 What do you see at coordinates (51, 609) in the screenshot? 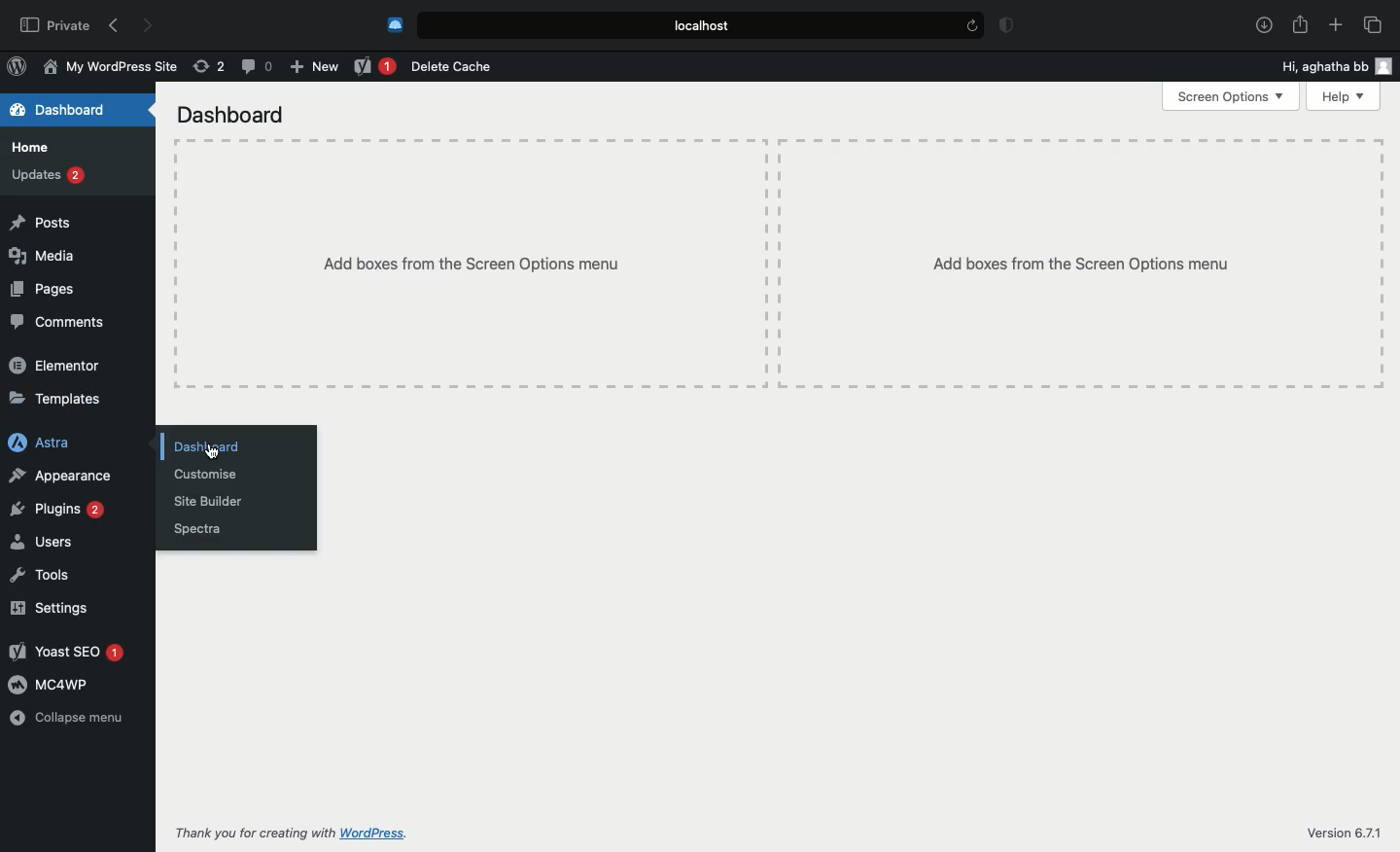
I see `Settings` at bounding box center [51, 609].